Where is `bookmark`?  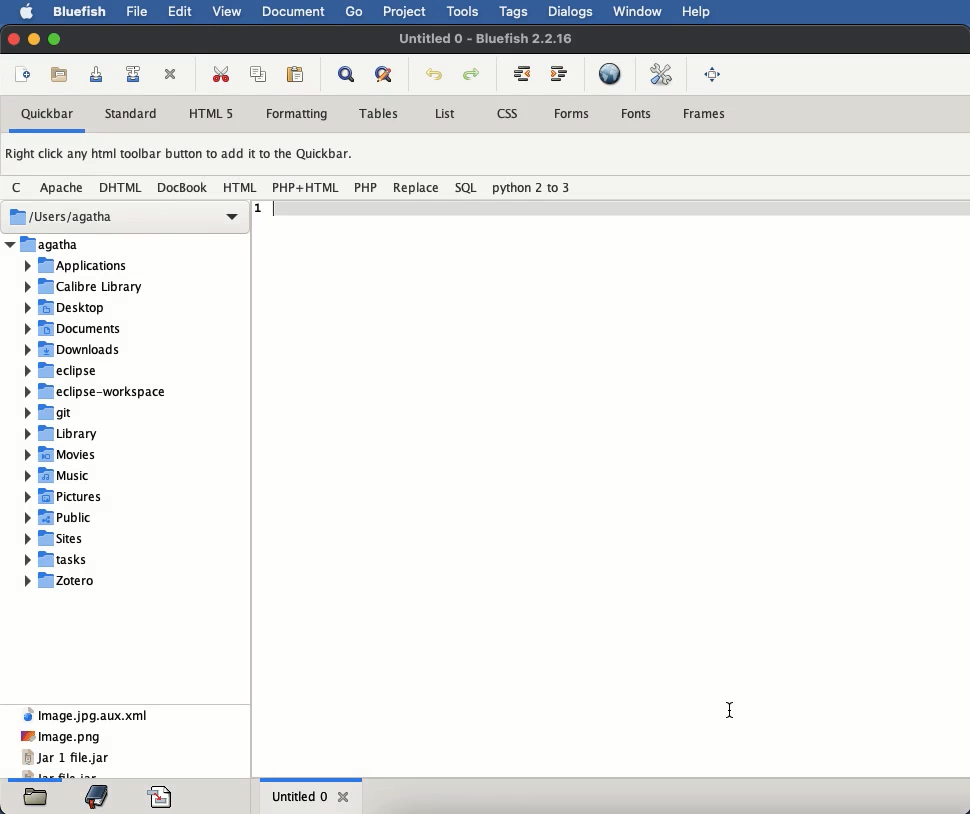 bookmark is located at coordinates (96, 796).